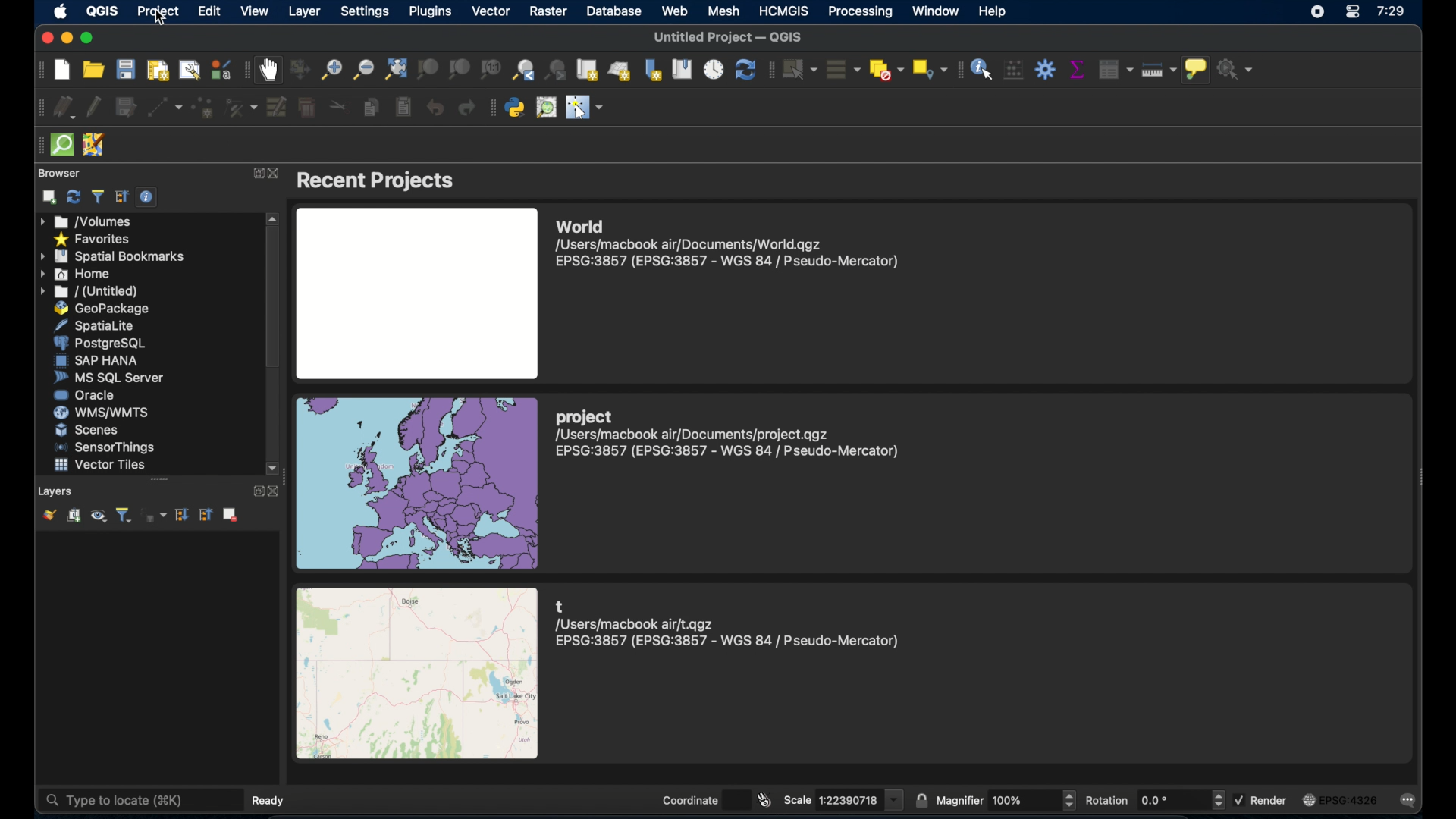 The height and width of the screenshot is (819, 1456). What do you see at coordinates (278, 491) in the screenshot?
I see `close` at bounding box center [278, 491].